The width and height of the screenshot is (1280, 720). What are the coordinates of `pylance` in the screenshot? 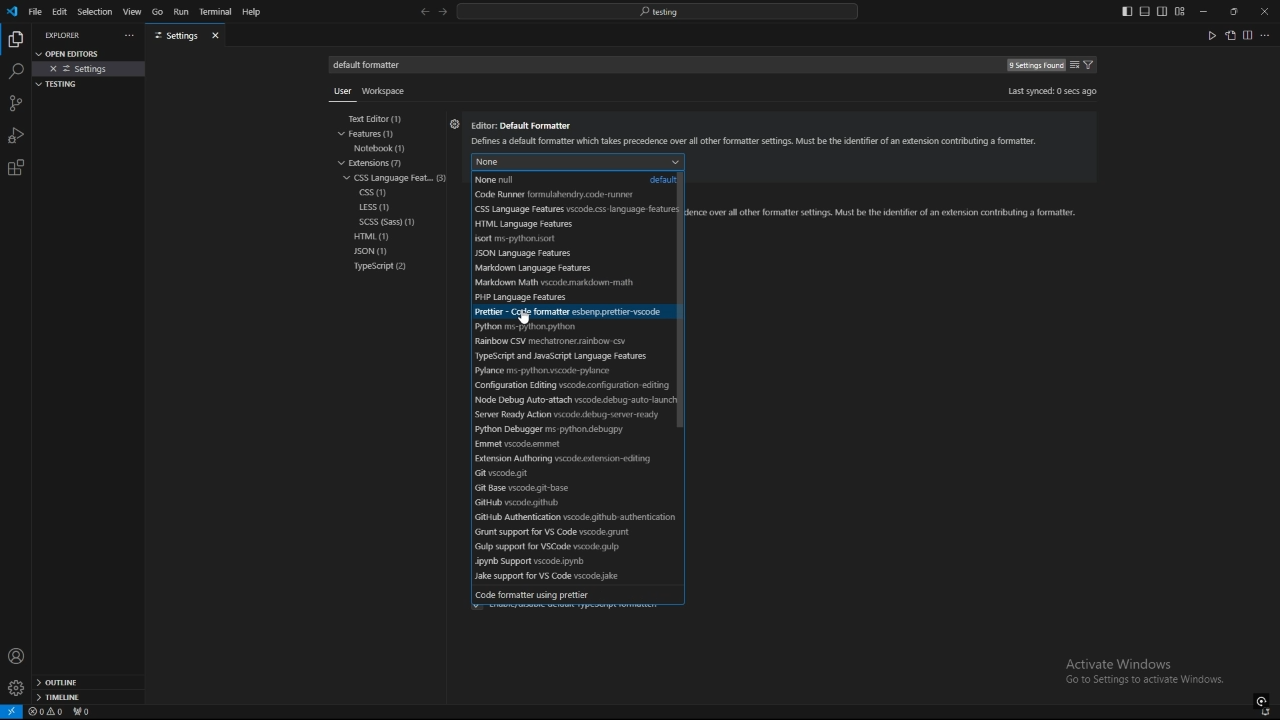 It's located at (559, 371).